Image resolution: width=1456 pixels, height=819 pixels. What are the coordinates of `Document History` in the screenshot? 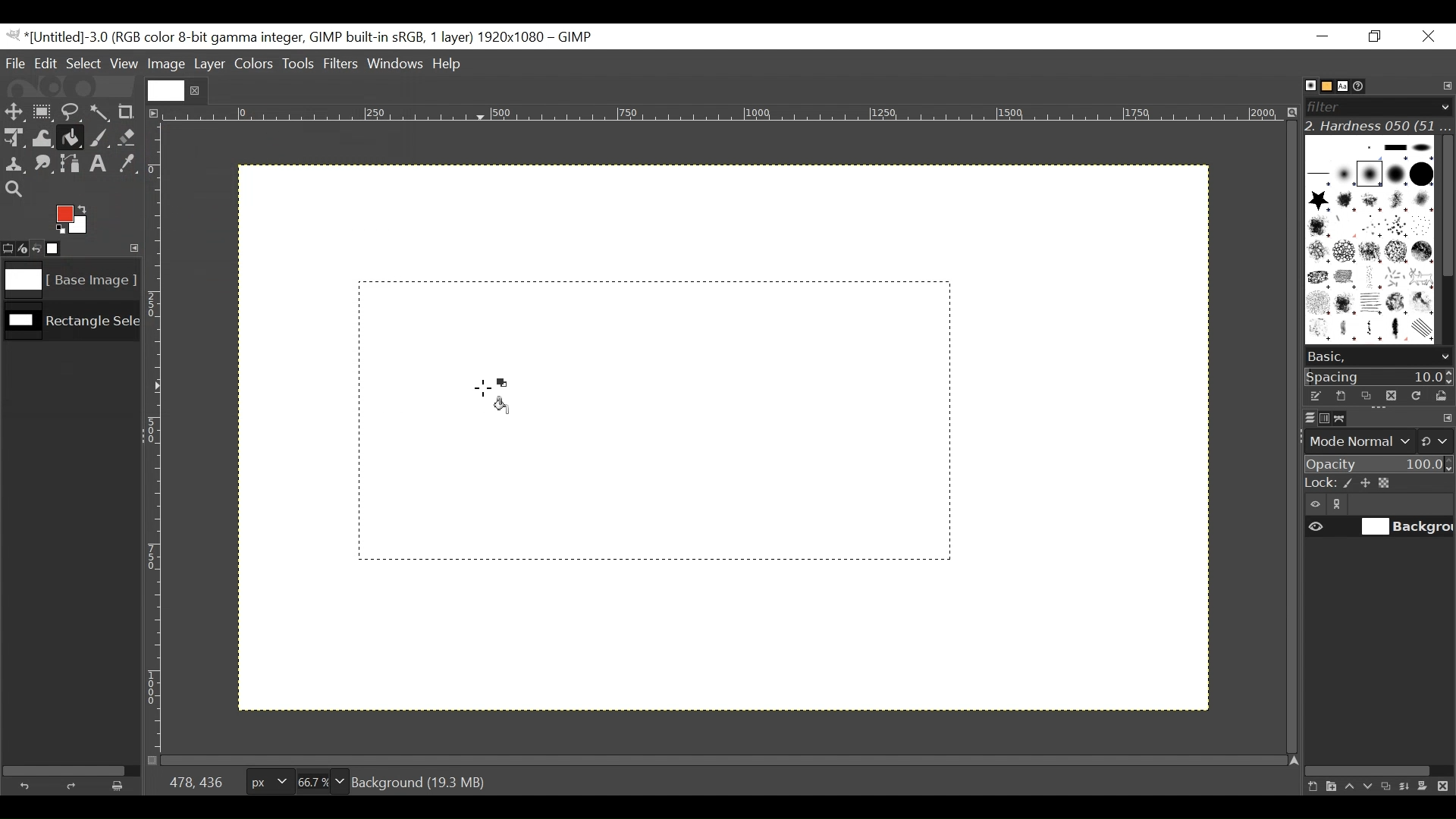 It's located at (1364, 85).